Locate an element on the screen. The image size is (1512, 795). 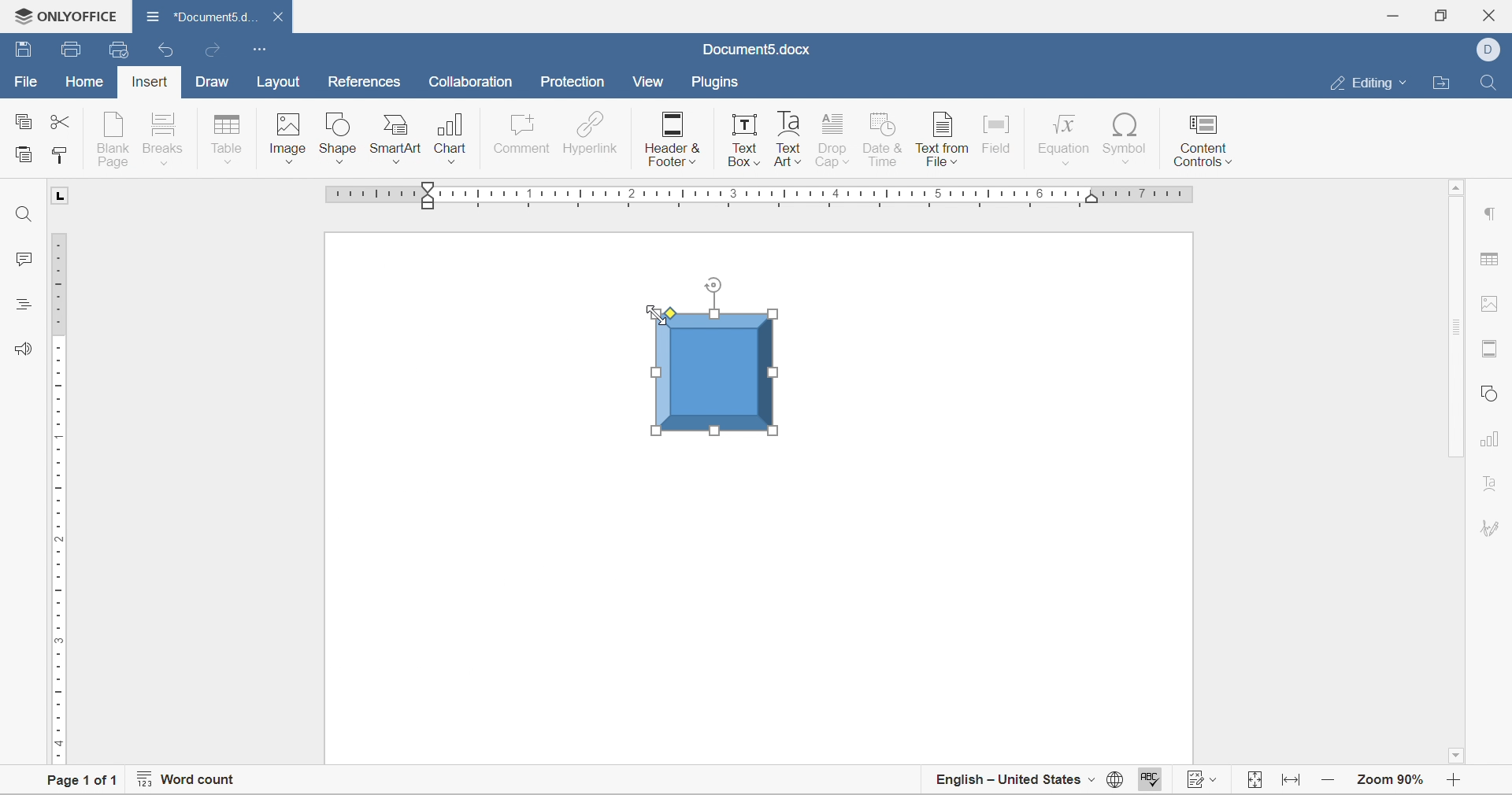
scroll down is located at coordinates (1458, 756).